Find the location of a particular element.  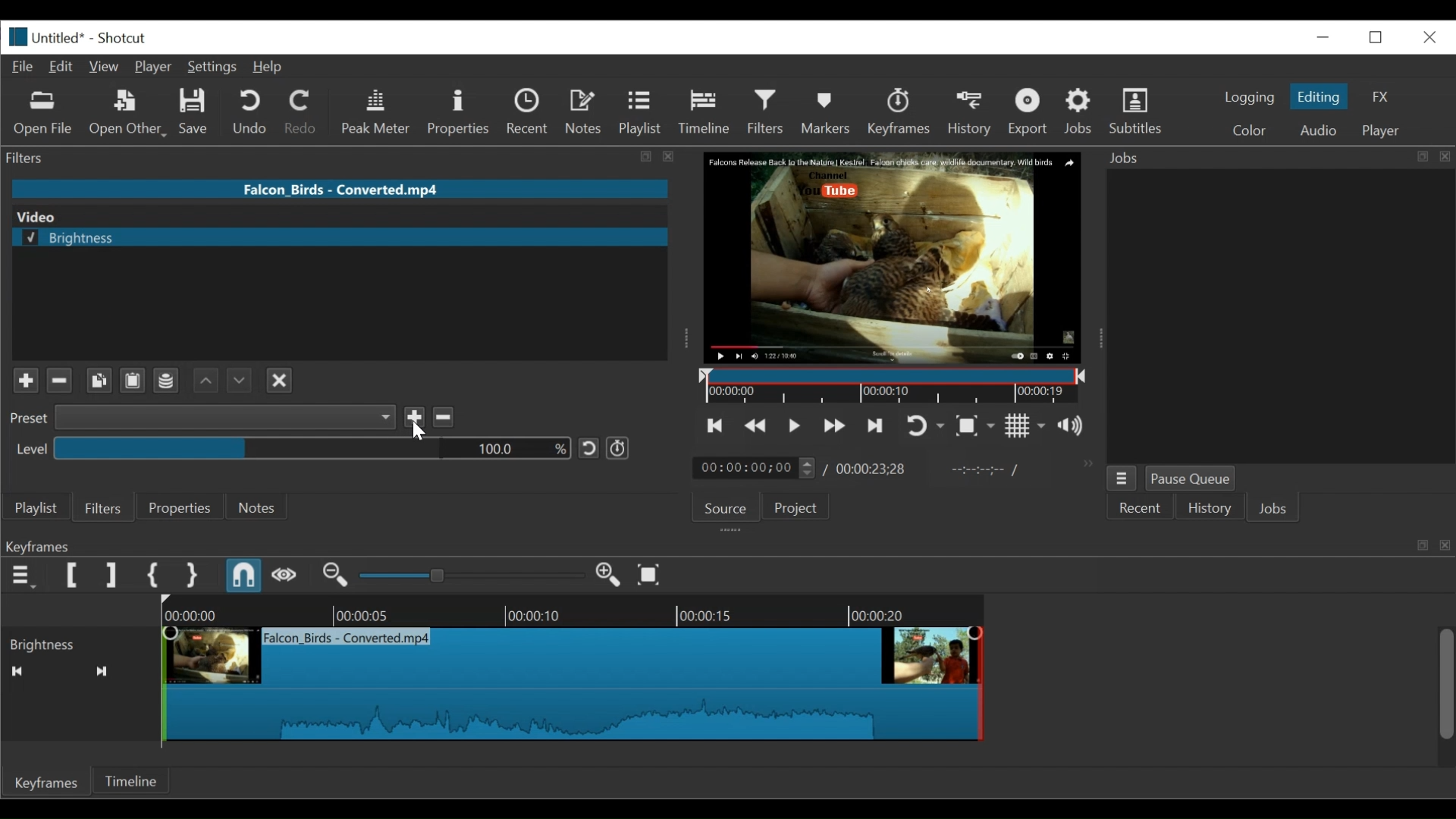

Minus is located at coordinates (60, 381).